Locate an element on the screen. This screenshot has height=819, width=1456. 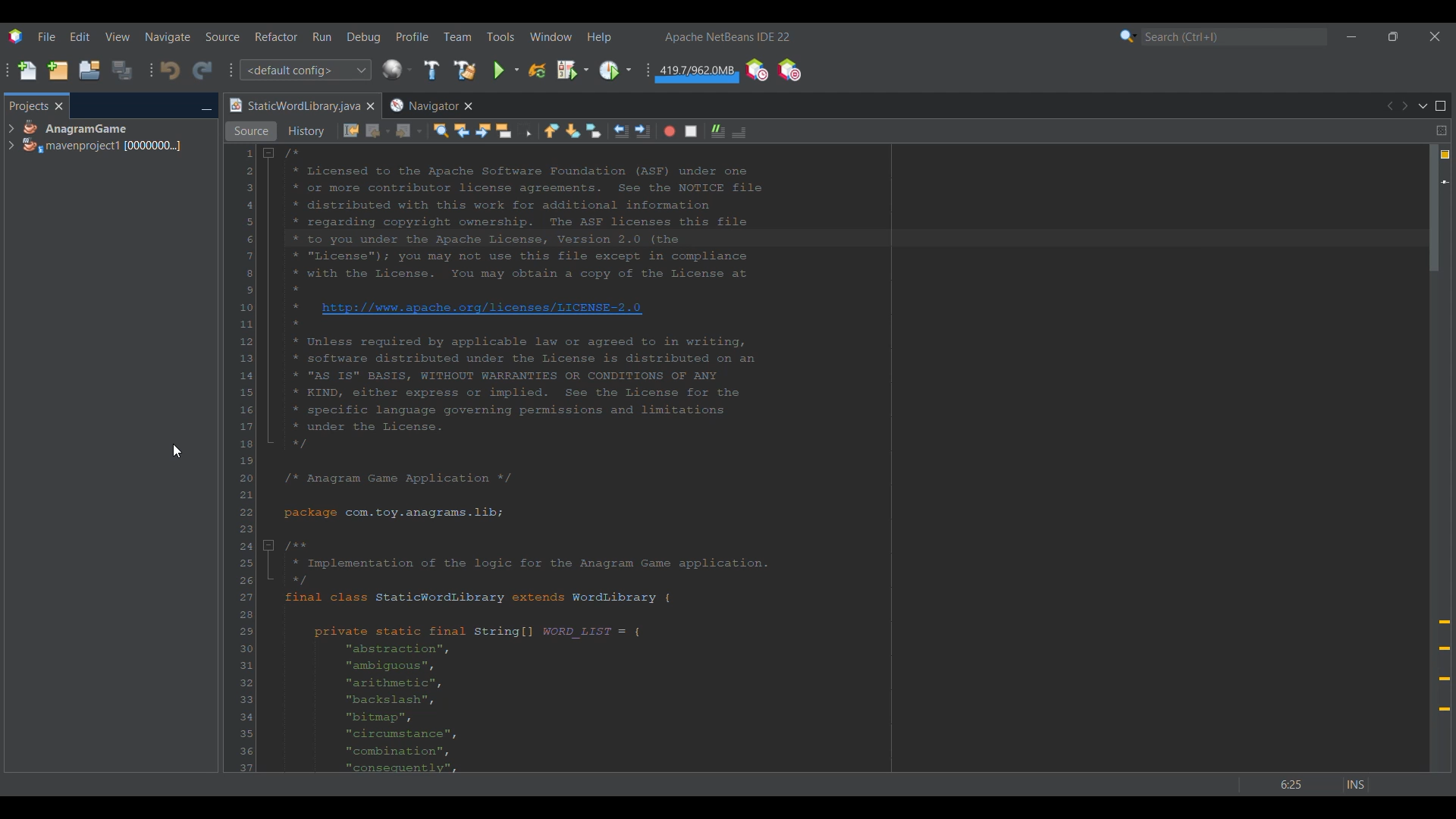
File menu is located at coordinates (46, 36).